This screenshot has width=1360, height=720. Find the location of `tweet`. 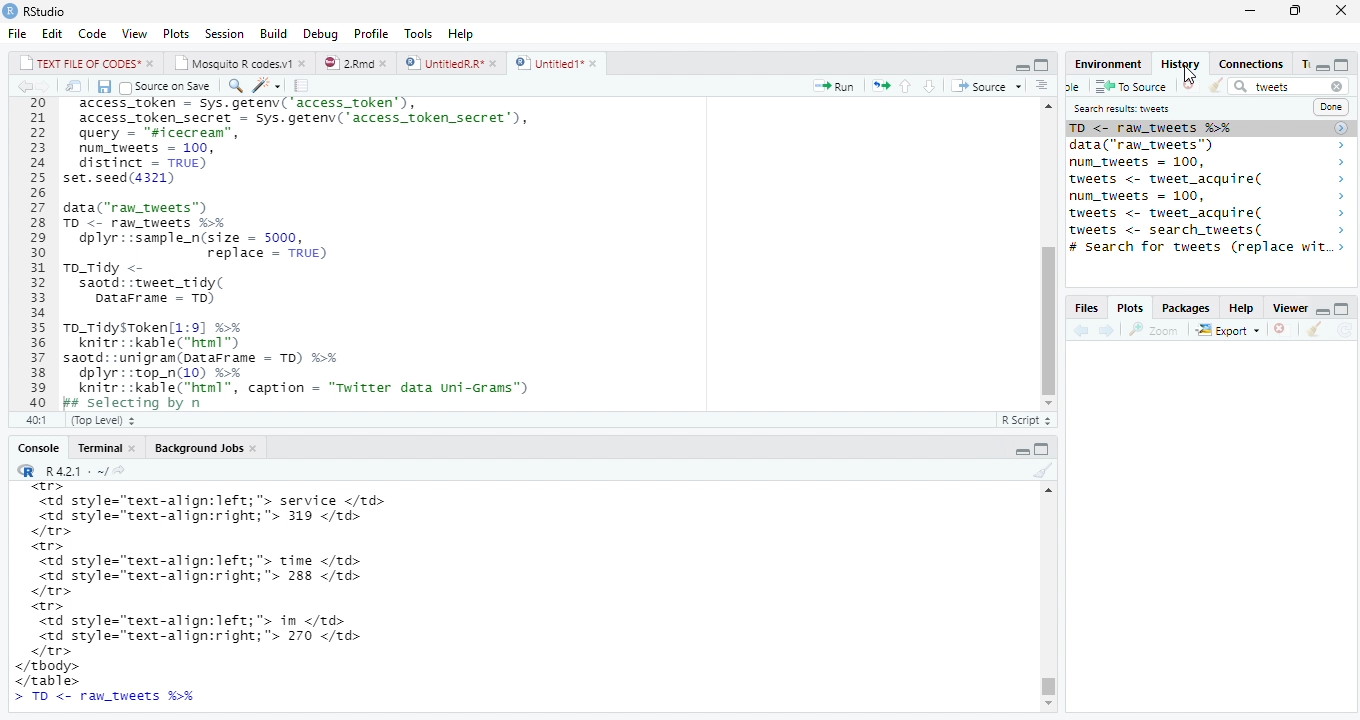

tweet is located at coordinates (1291, 86).